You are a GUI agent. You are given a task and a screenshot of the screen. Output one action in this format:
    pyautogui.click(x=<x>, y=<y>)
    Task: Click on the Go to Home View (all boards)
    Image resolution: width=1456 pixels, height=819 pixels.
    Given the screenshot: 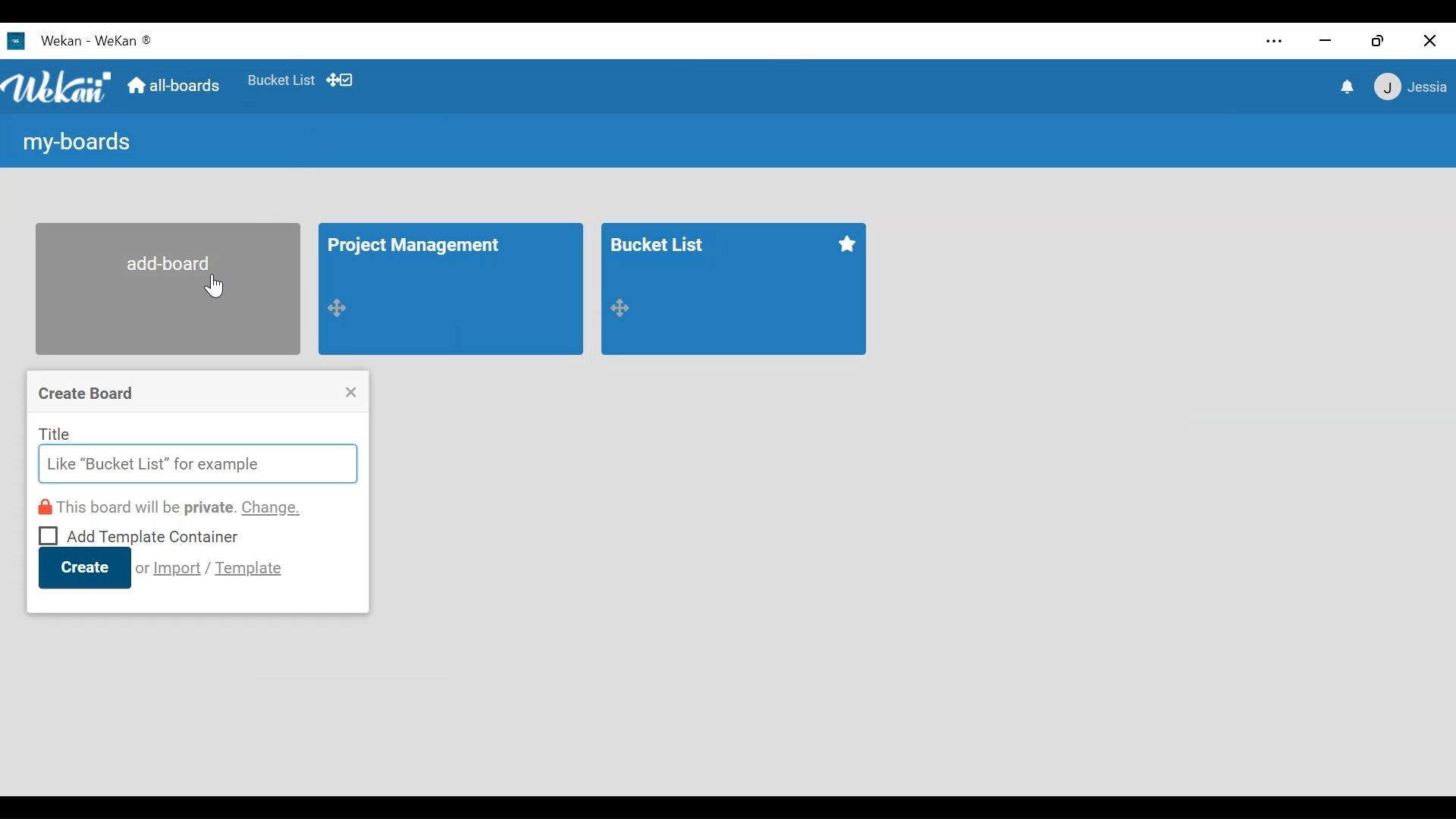 What is the action you would take?
    pyautogui.click(x=172, y=86)
    